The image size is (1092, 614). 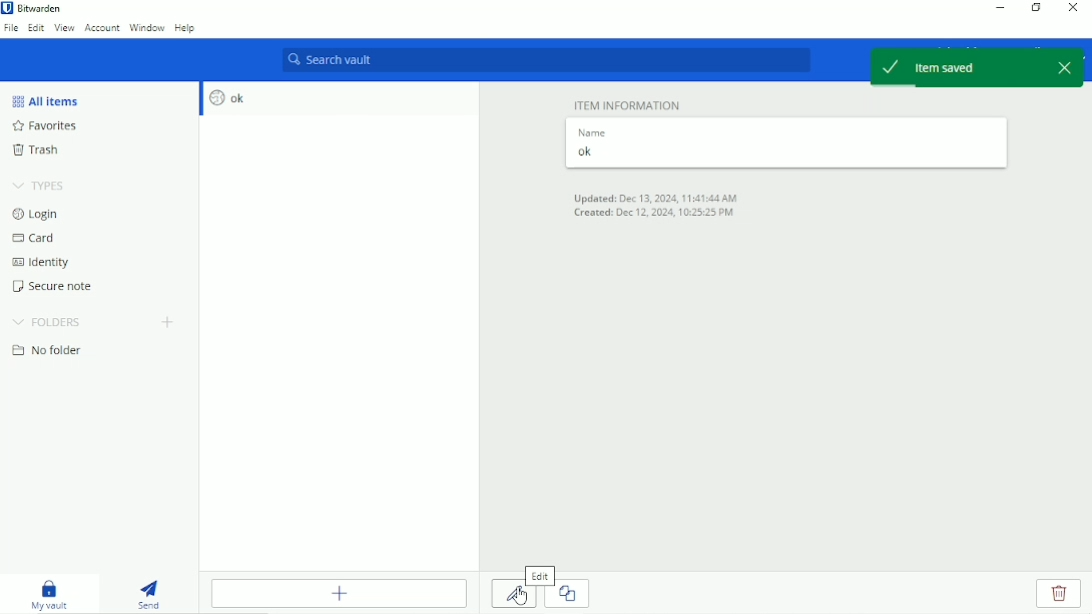 I want to click on Clone, so click(x=575, y=593).